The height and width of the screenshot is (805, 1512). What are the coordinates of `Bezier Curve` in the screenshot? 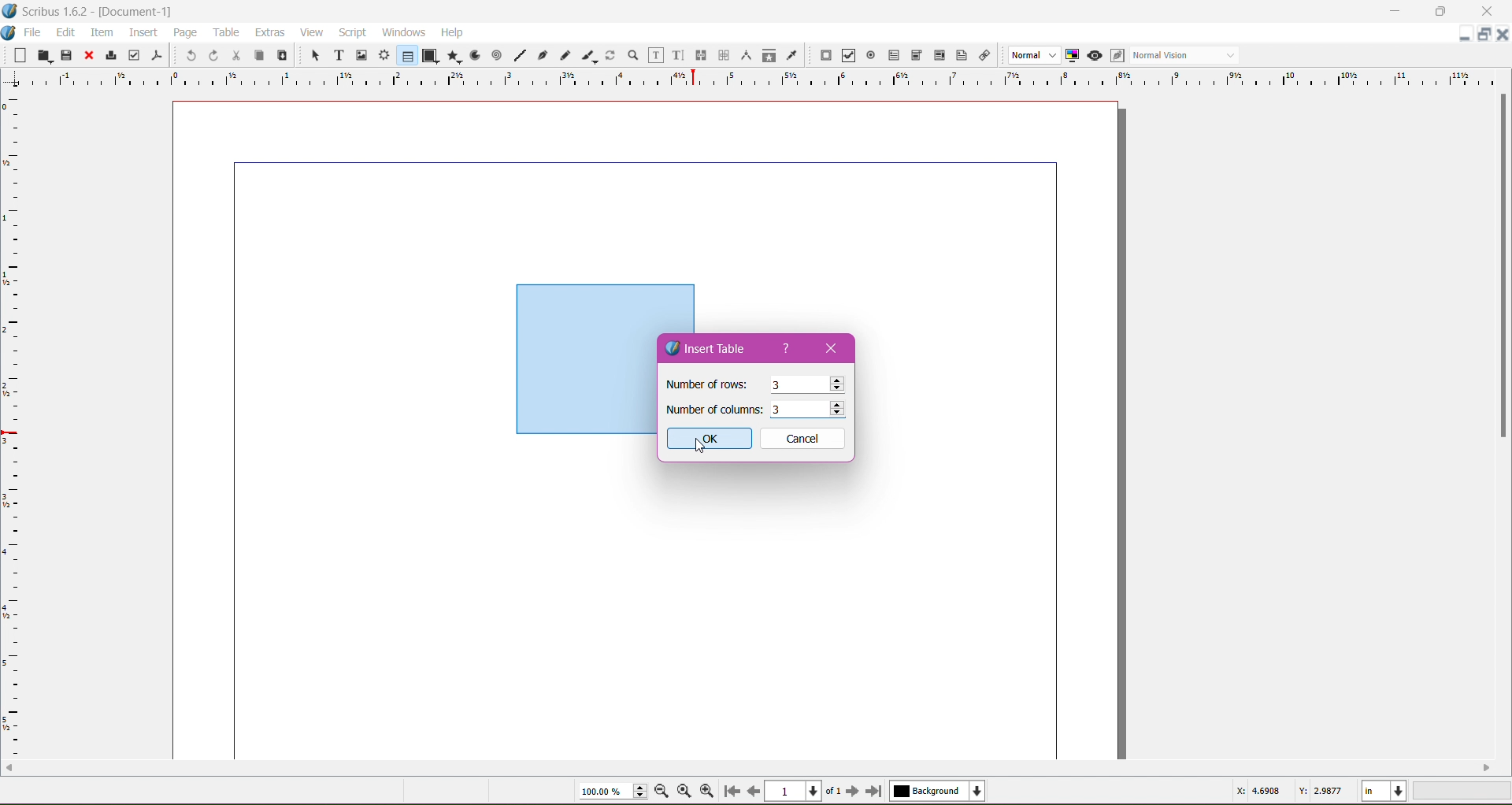 It's located at (541, 54).